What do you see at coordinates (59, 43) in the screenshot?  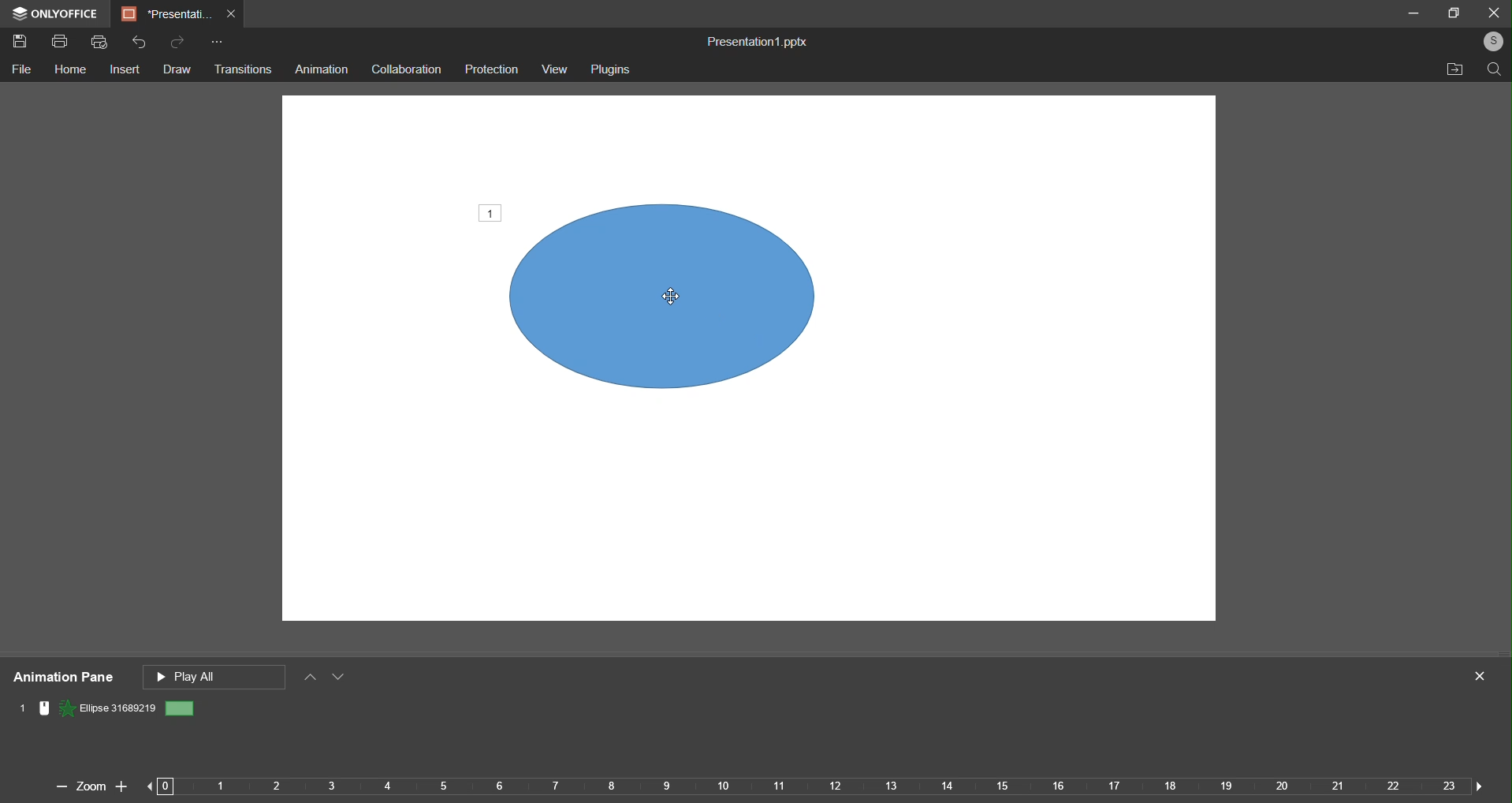 I see `Print` at bounding box center [59, 43].